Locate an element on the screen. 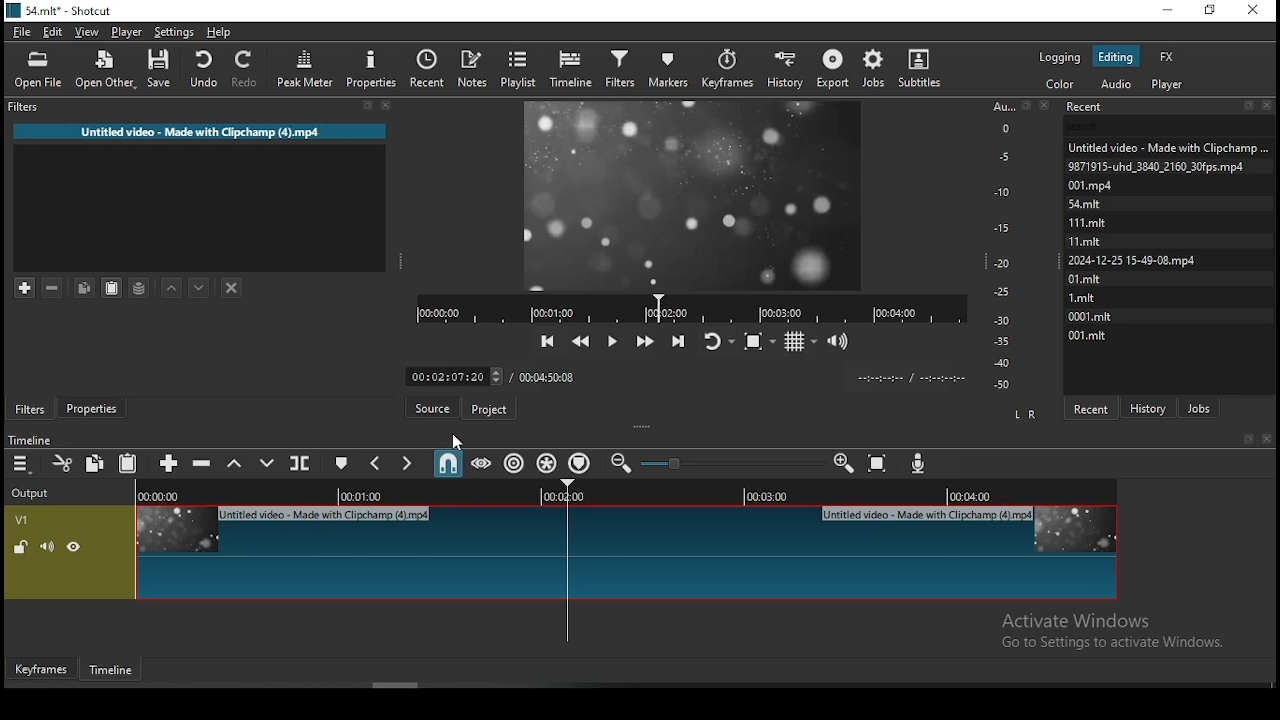 This screenshot has width=1280, height=720. timeline is located at coordinates (572, 70).